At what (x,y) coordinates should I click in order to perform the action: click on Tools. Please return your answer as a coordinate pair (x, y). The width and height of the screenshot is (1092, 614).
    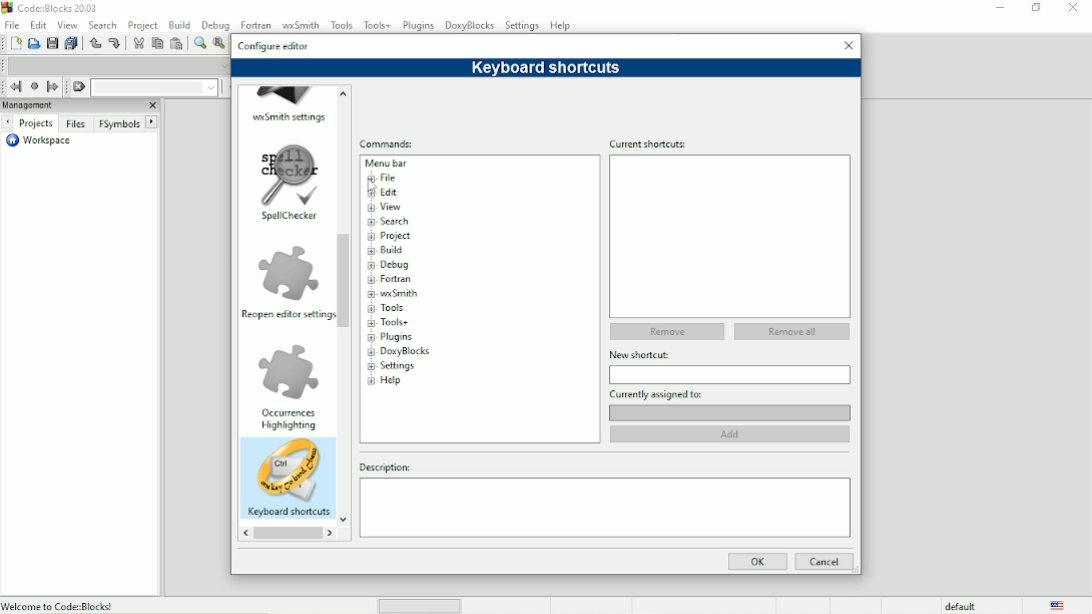
    Looking at the image, I should click on (341, 24).